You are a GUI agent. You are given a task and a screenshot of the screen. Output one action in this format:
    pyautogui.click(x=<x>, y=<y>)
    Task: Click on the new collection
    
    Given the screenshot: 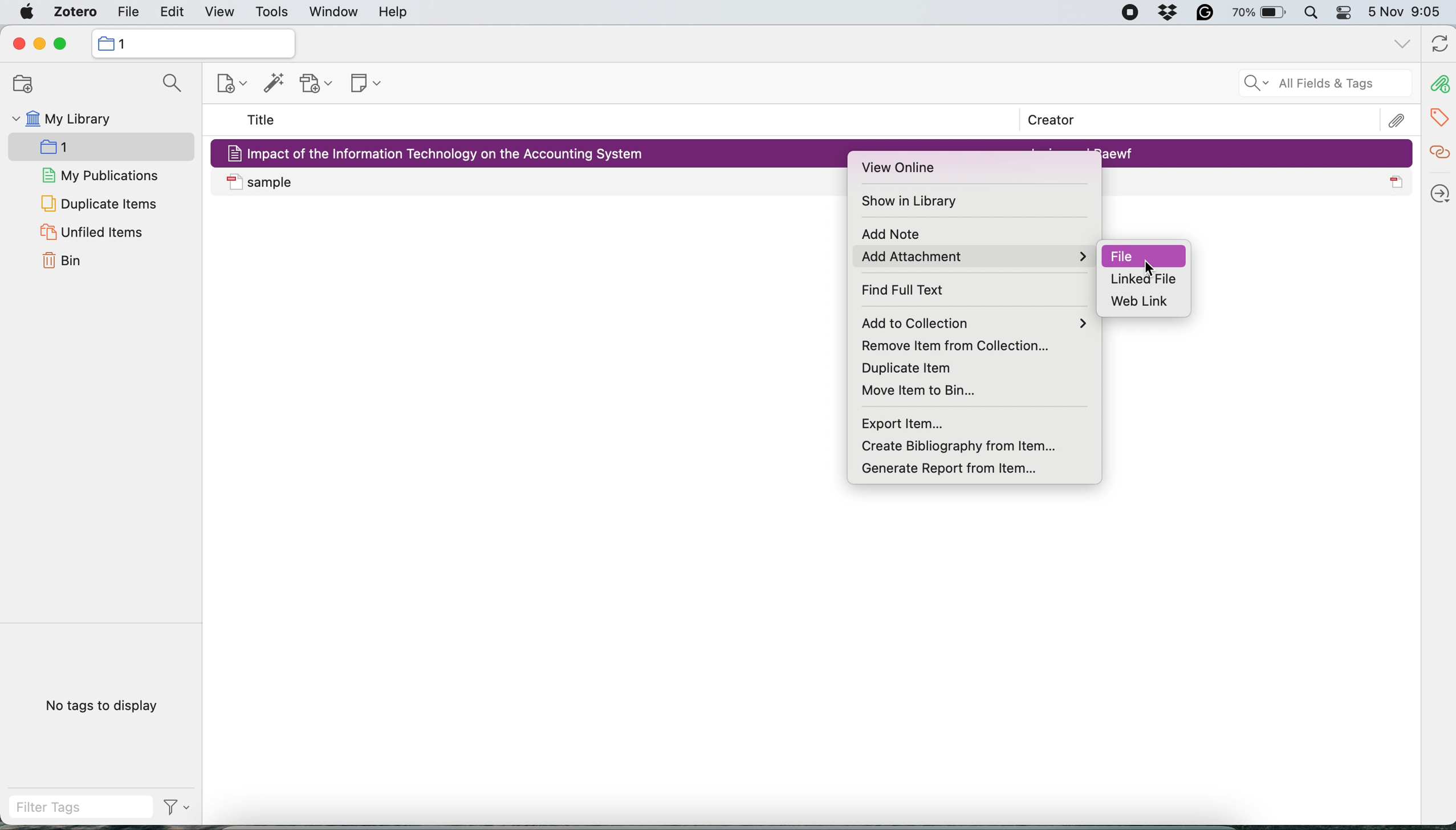 What is the action you would take?
    pyautogui.click(x=223, y=86)
    